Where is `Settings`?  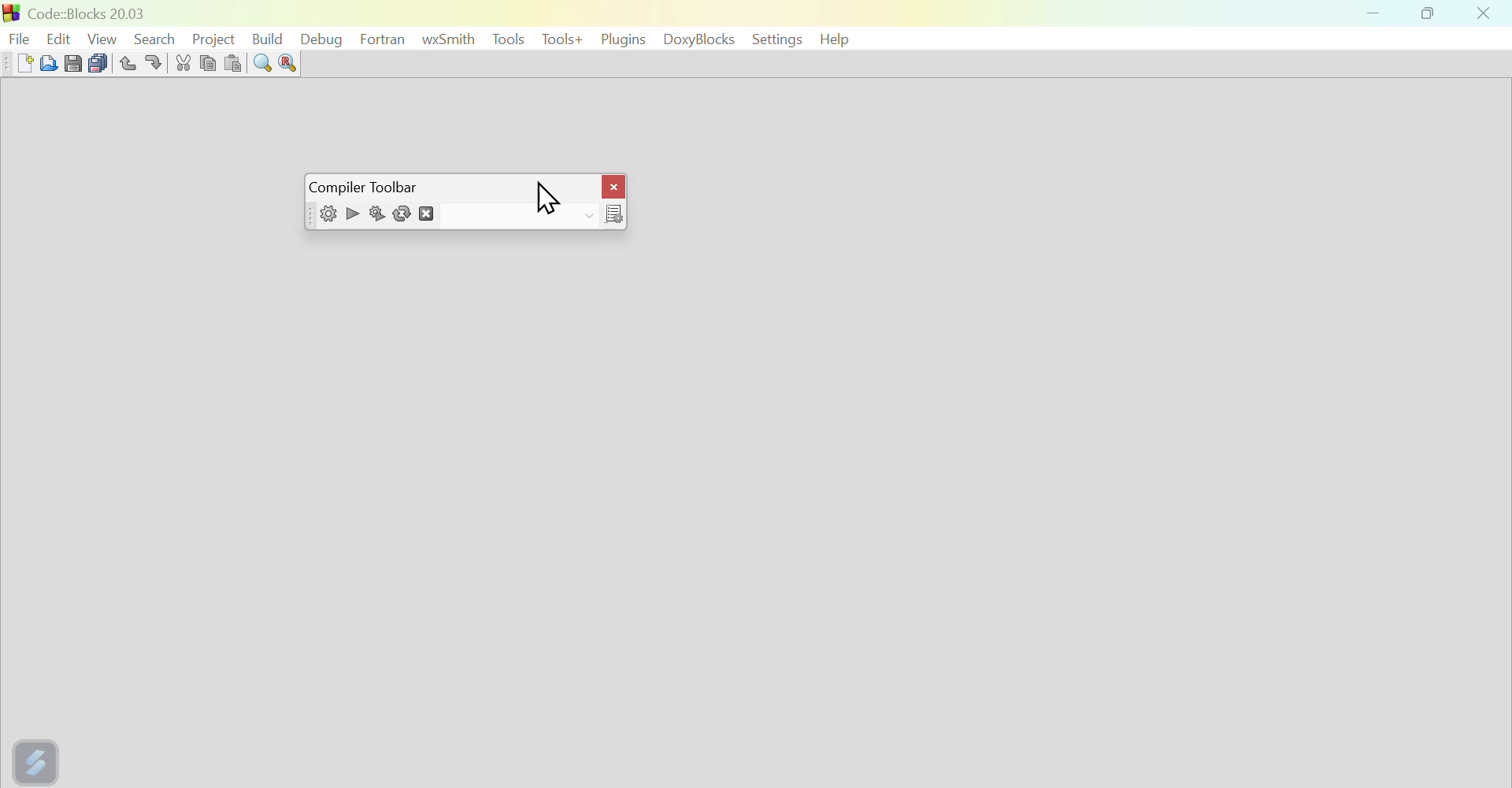
Settings is located at coordinates (774, 39).